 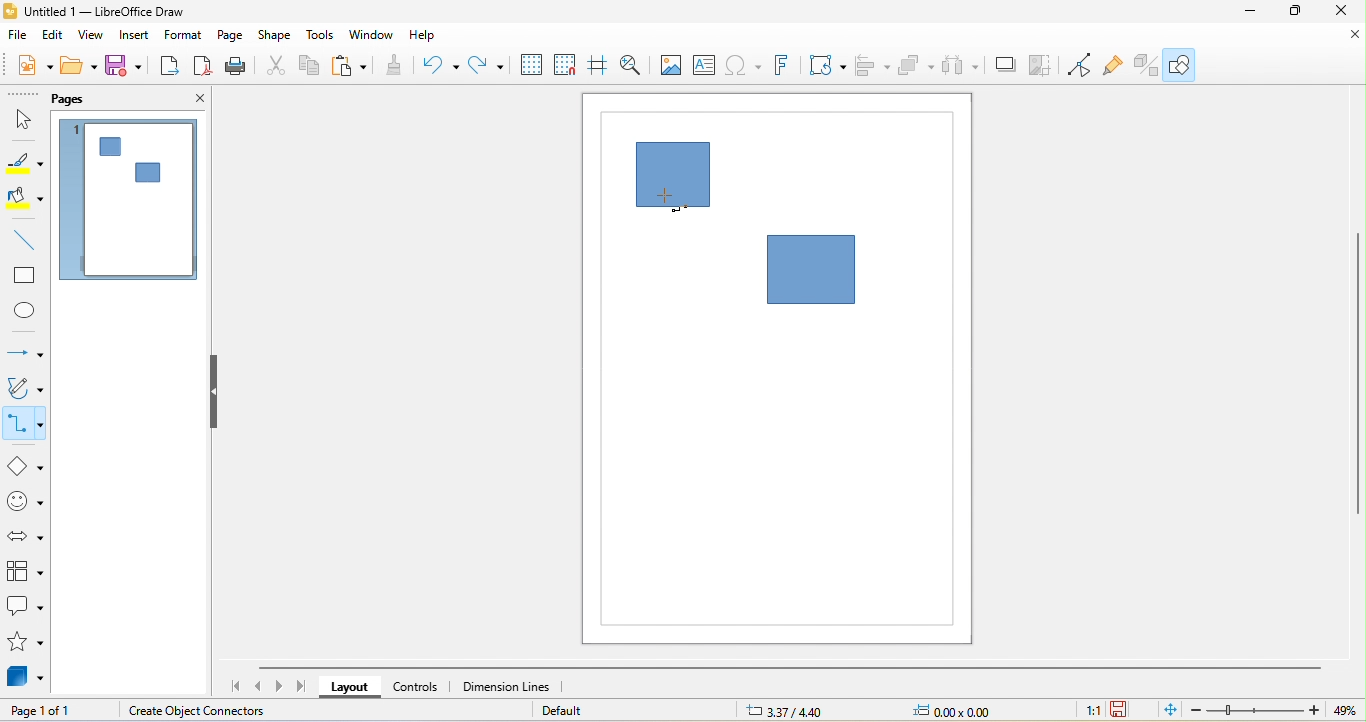 What do you see at coordinates (99, 11) in the screenshot?
I see `untitled 1-libre office draw` at bounding box center [99, 11].